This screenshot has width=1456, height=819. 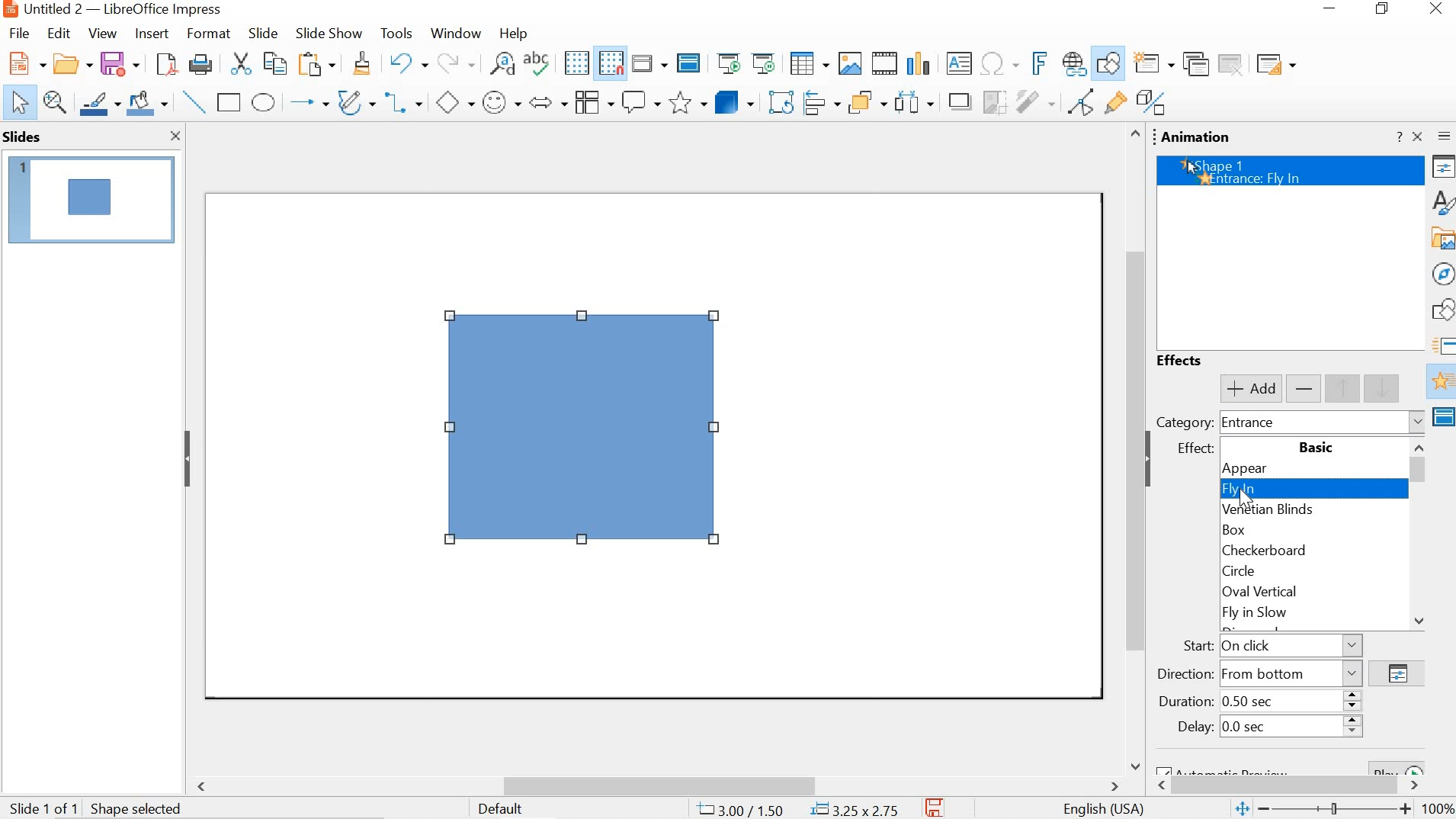 I want to click on start from current slide, so click(x=765, y=63).